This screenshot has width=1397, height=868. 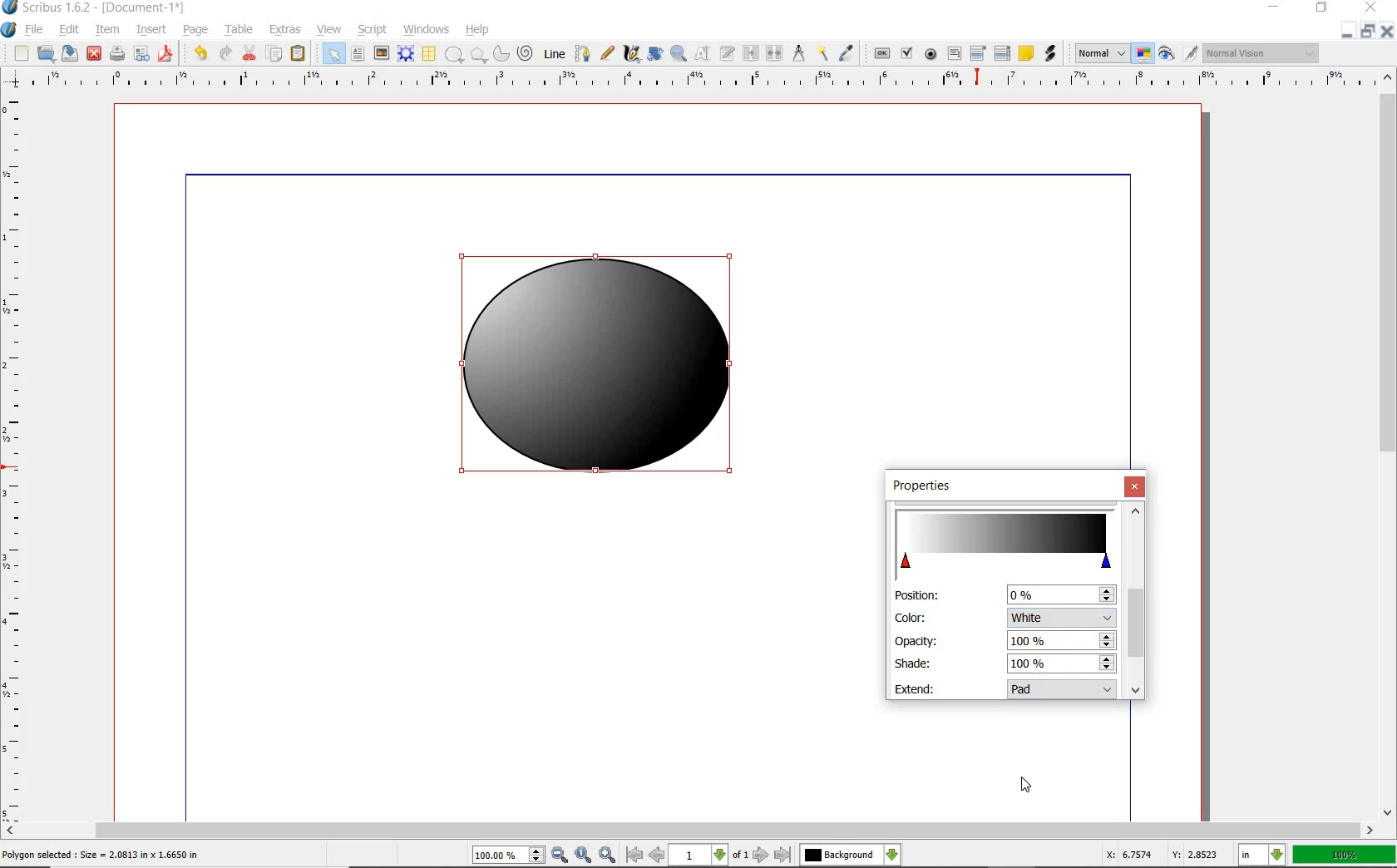 I want to click on EDIT CONTENTS OF FRAME, so click(x=702, y=52).